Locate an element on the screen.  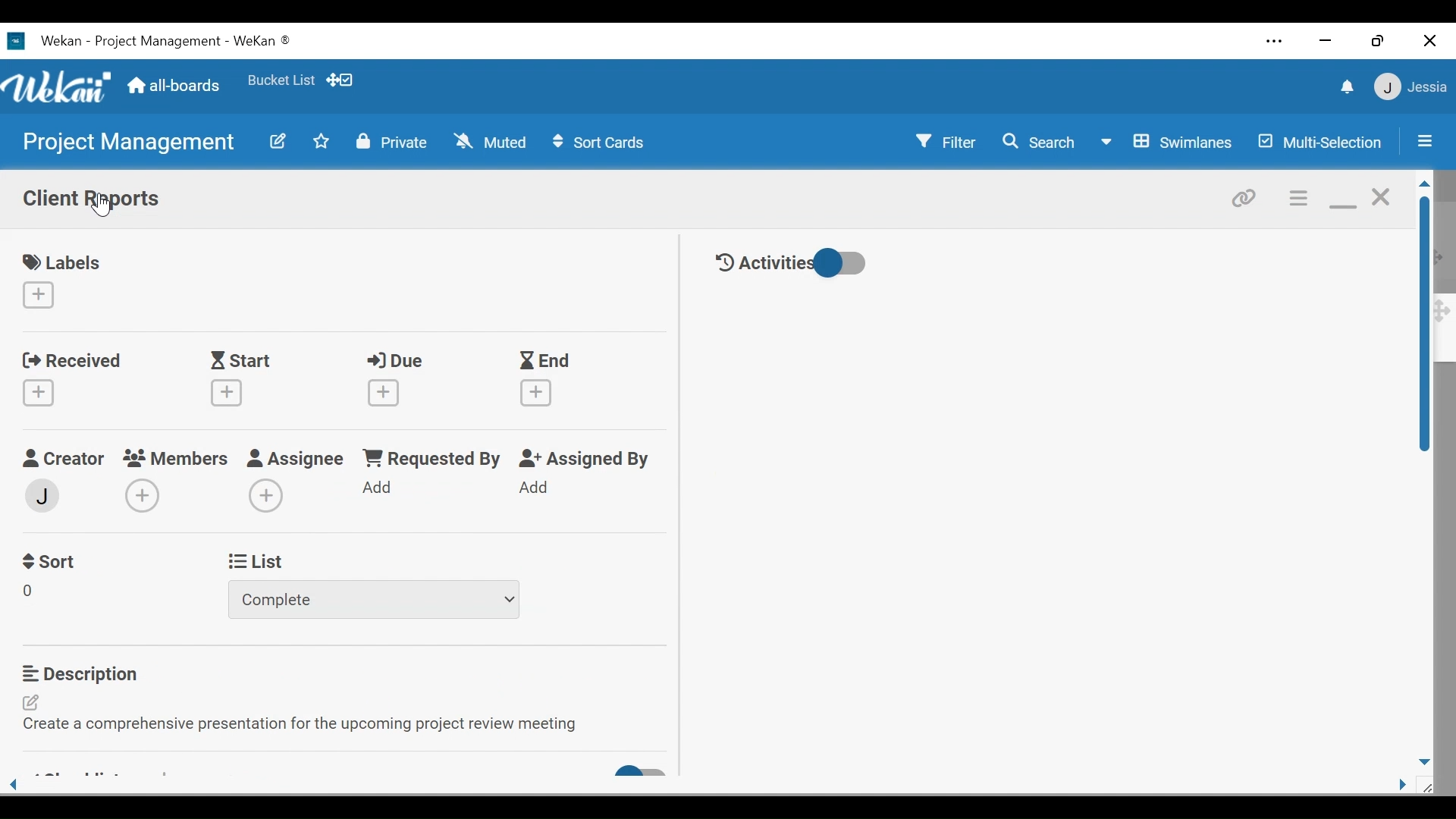
Search is located at coordinates (1039, 142).